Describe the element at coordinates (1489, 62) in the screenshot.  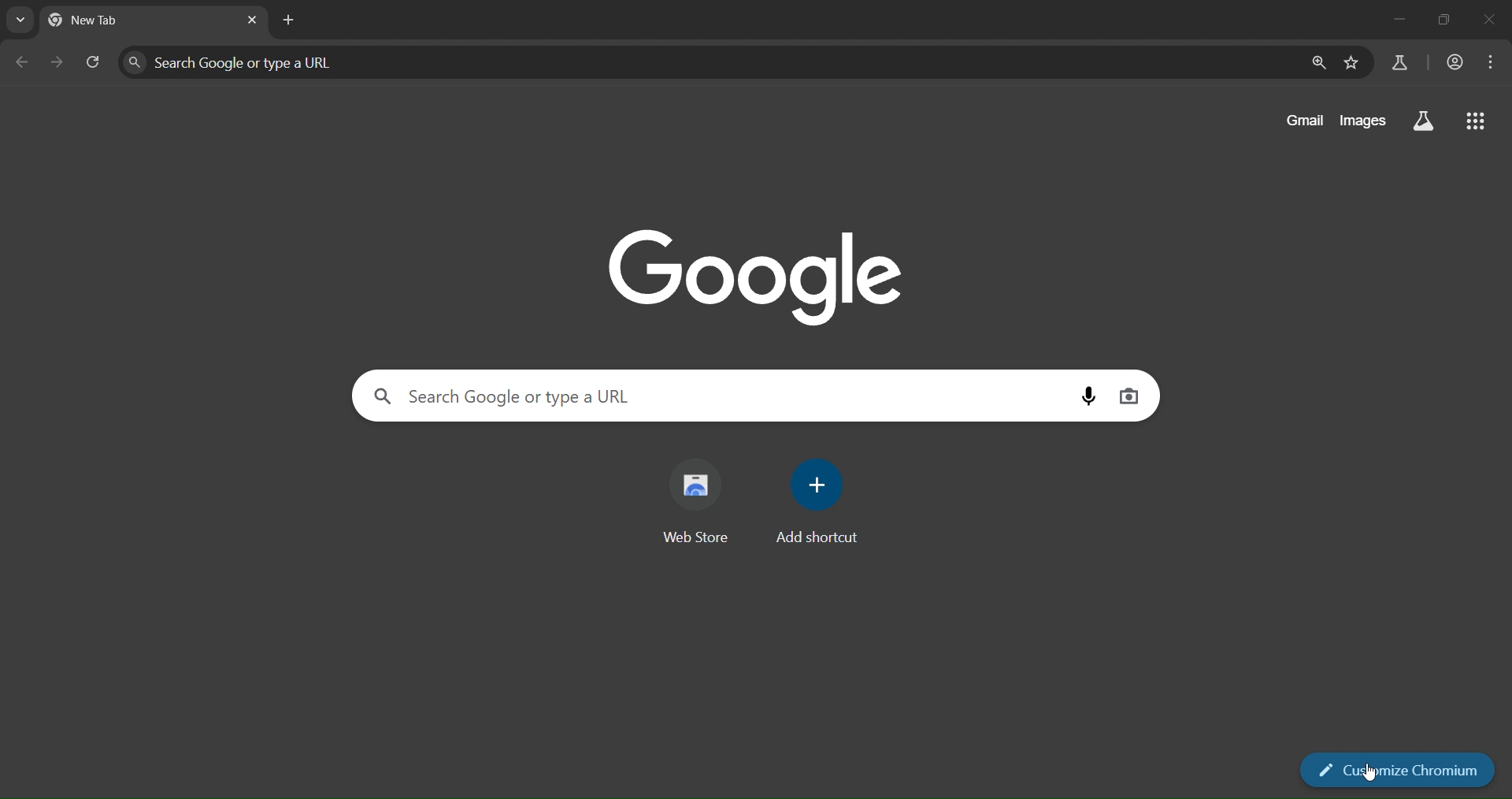
I see `menu` at that location.